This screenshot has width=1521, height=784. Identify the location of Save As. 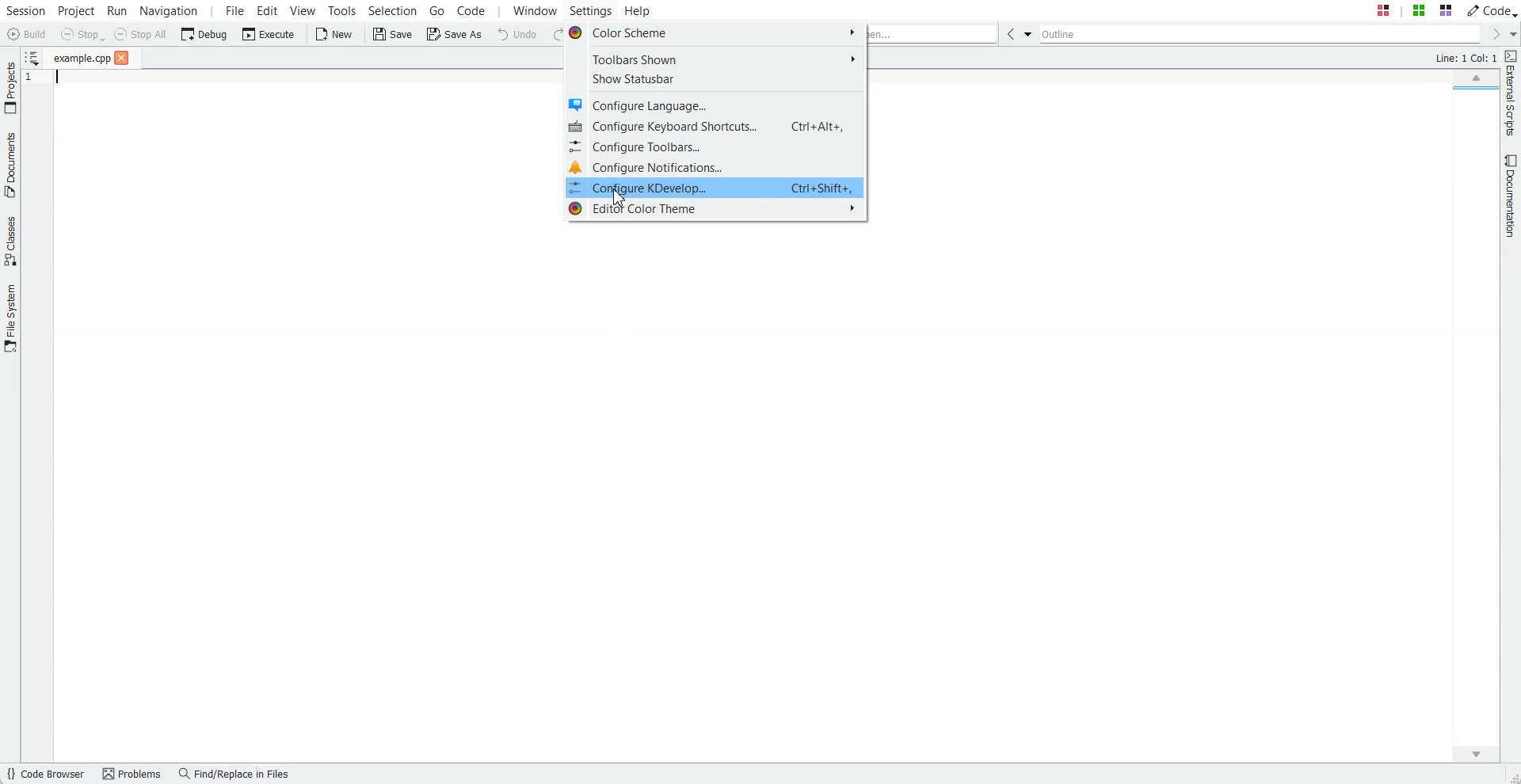
(454, 35).